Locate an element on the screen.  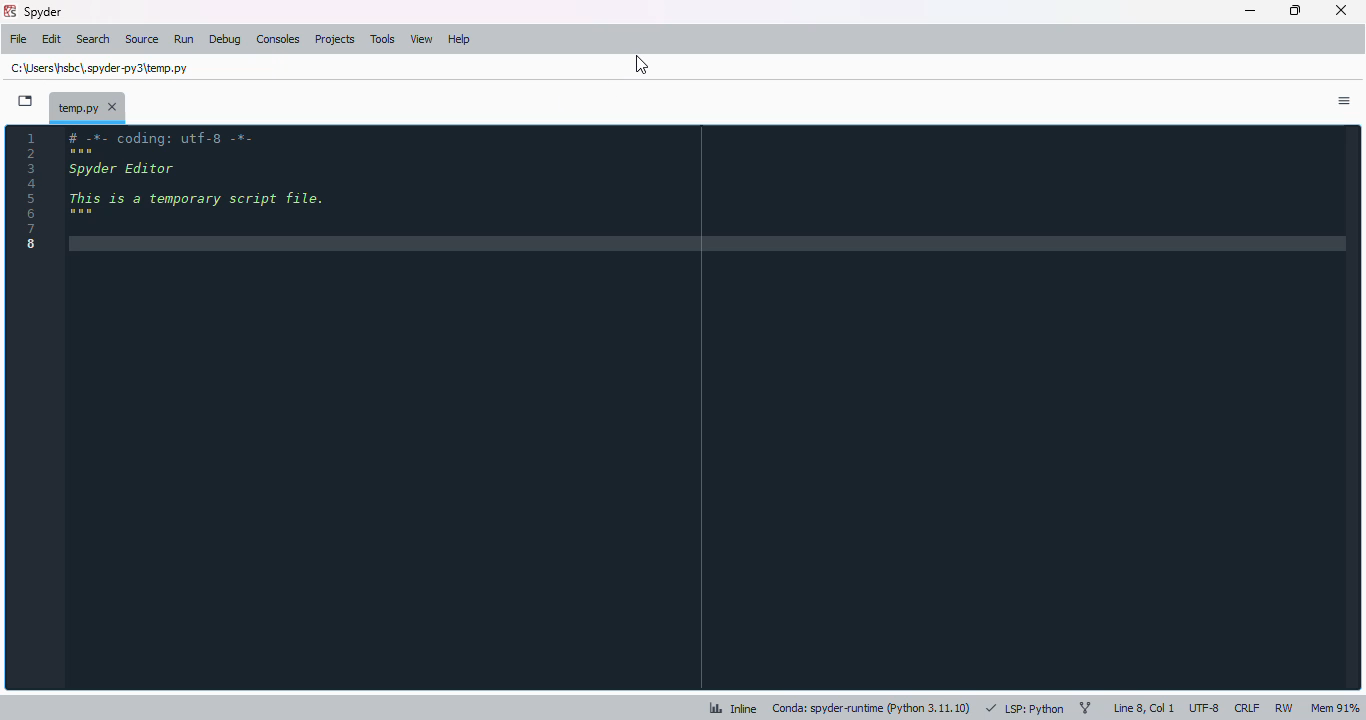
minimize is located at coordinates (1250, 11).